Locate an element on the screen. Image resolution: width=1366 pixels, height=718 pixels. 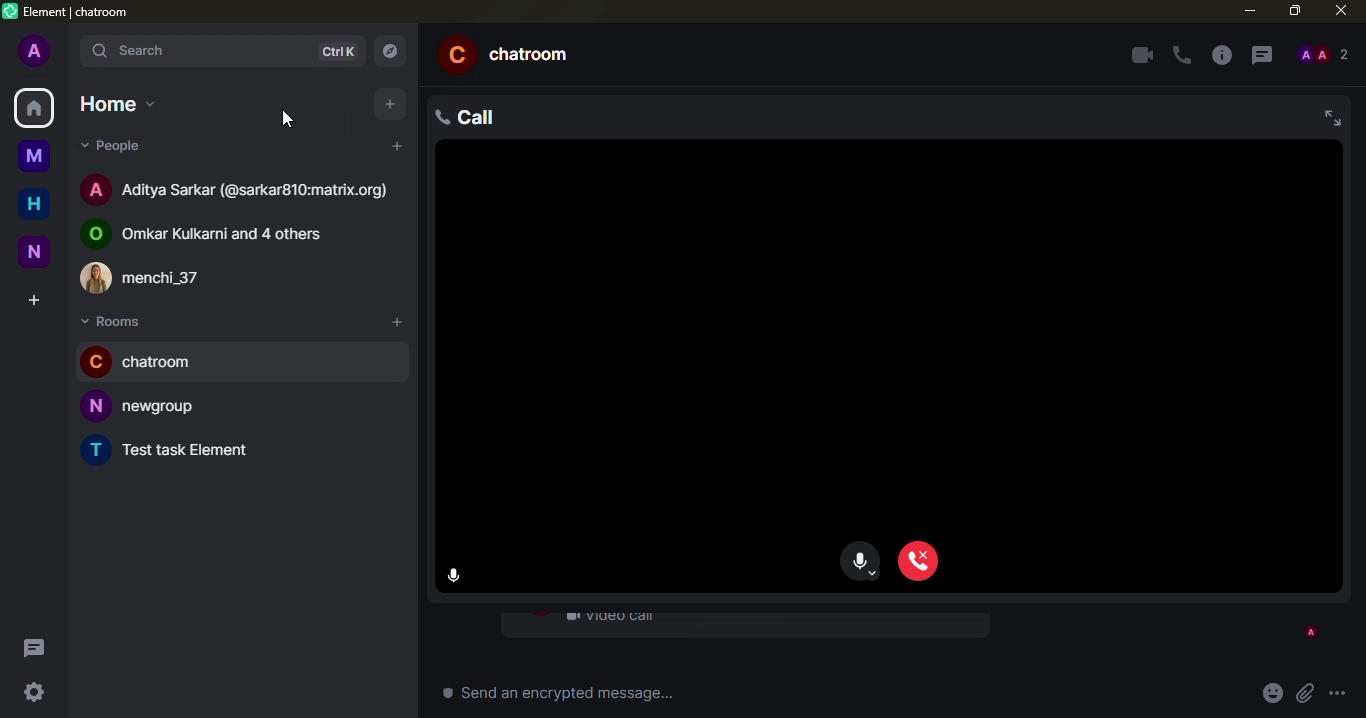
new is located at coordinates (35, 250).